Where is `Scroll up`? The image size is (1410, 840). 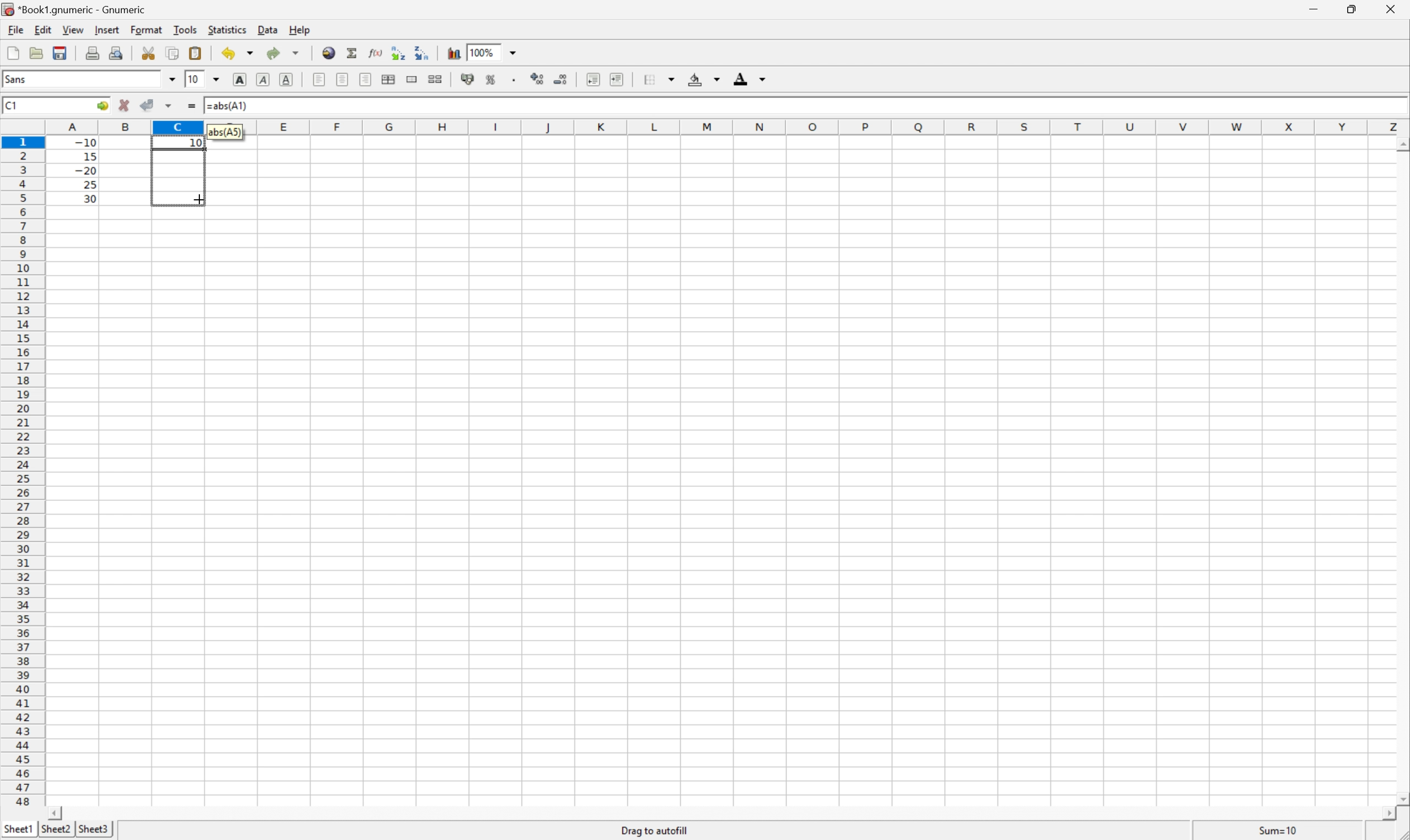 Scroll up is located at coordinates (1401, 144).